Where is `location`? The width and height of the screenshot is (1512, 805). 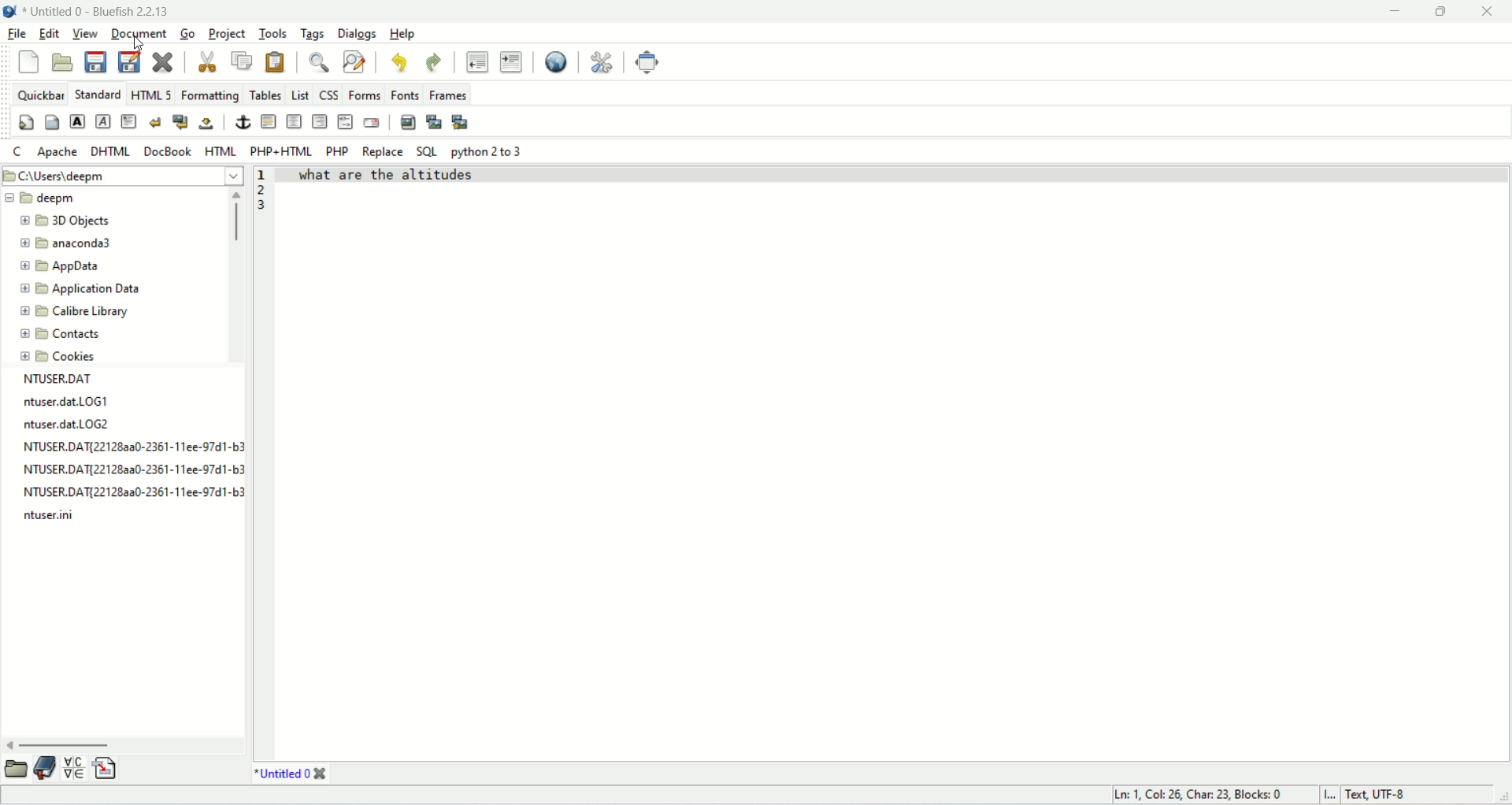 location is located at coordinates (121, 176).